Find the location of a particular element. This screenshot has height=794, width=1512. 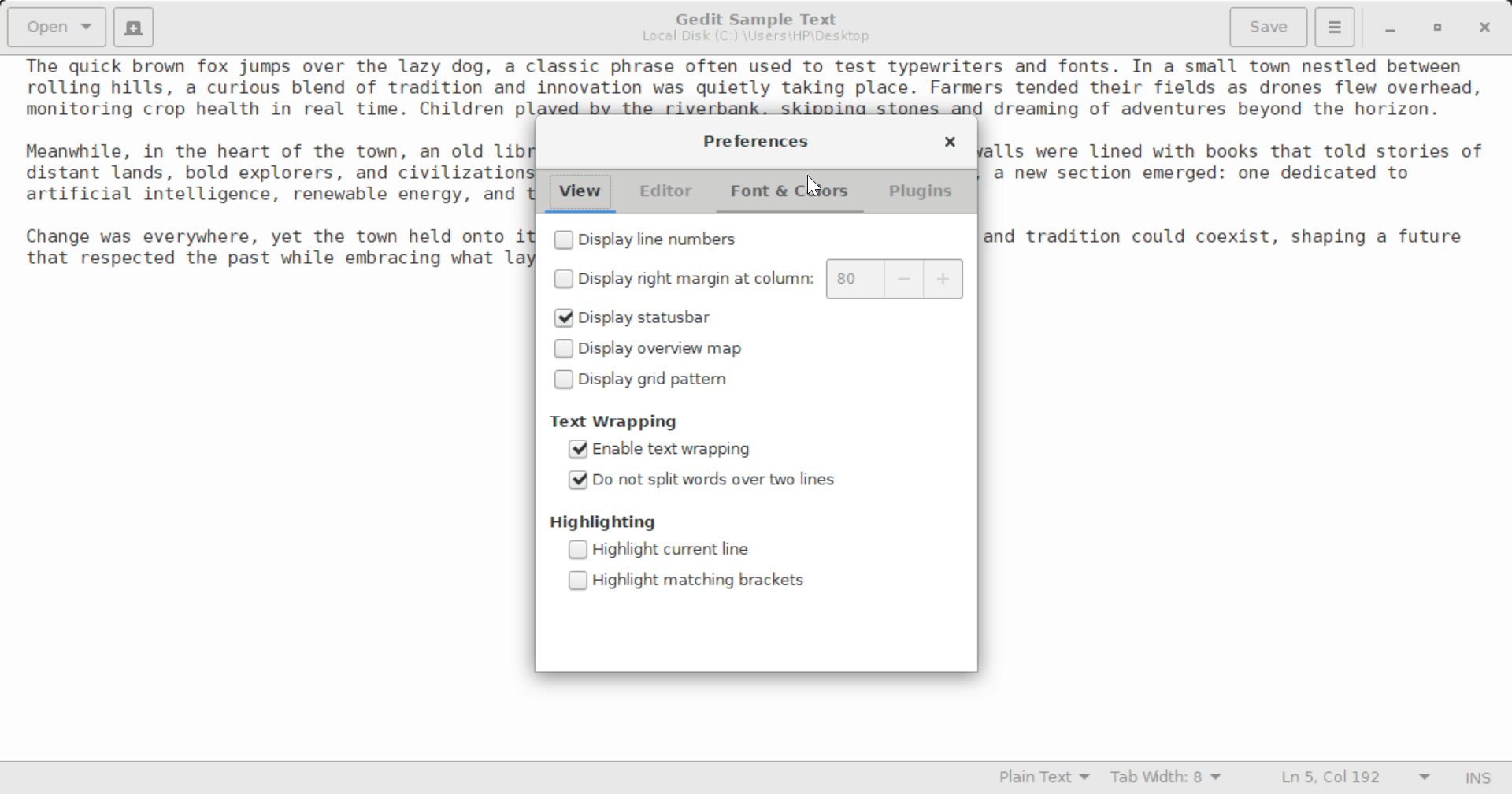

Display Right Margin at Column is located at coordinates (681, 281).